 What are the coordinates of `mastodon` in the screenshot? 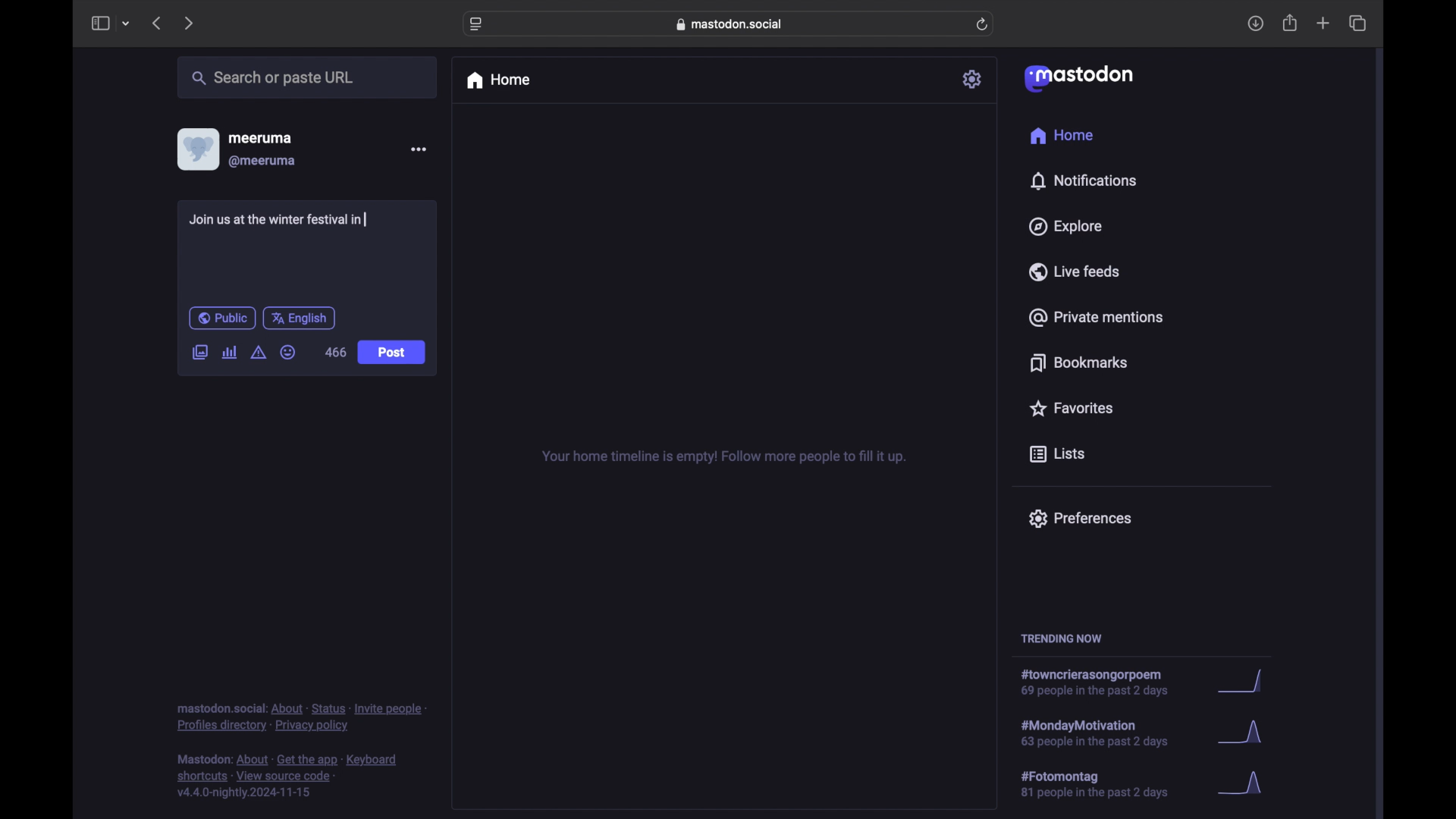 It's located at (1077, 77).